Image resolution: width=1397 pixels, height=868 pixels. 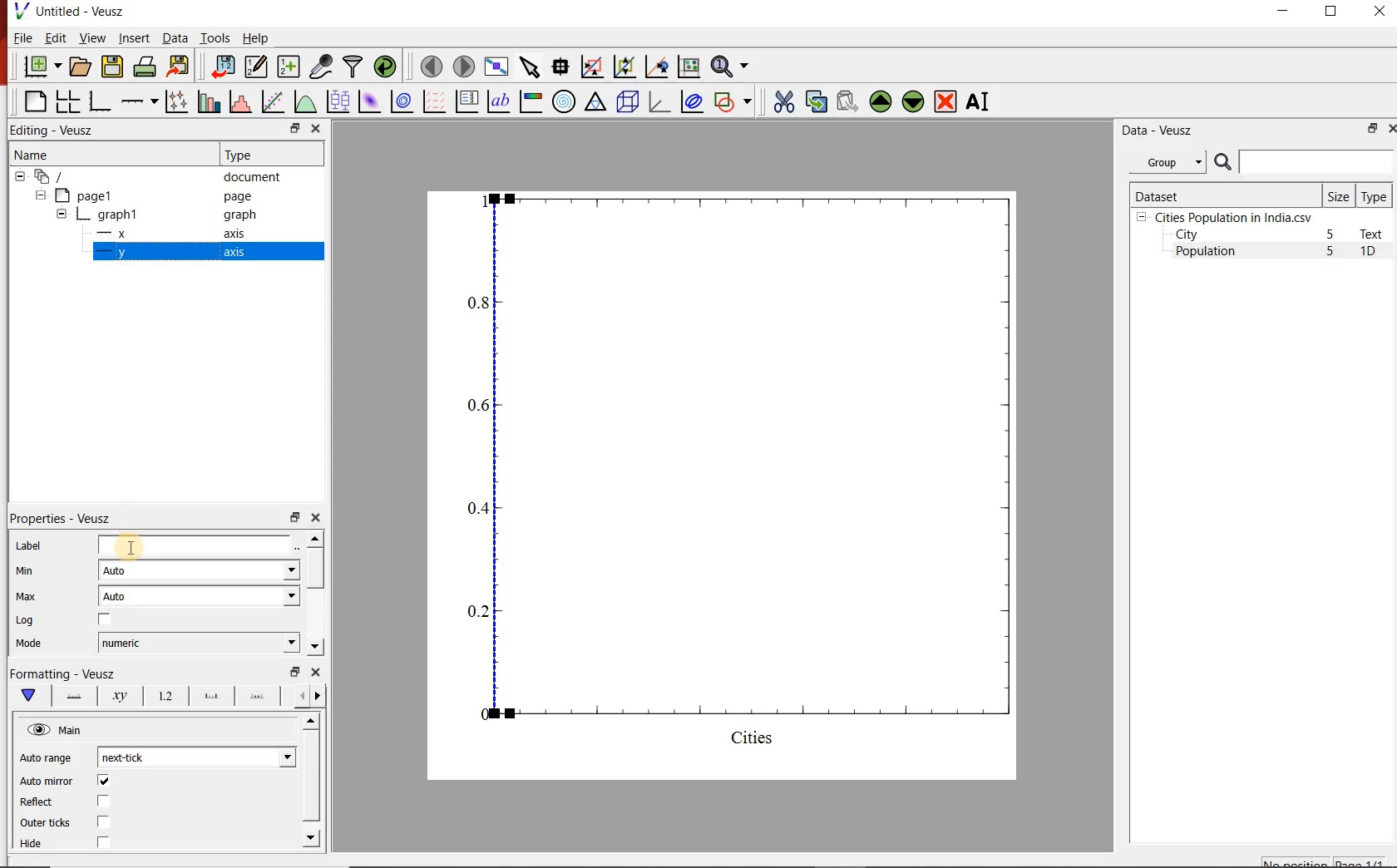 What do you see at coordinates (54, 38) in the screenshot?
I see `Edit` at bounding box center [54, 38].